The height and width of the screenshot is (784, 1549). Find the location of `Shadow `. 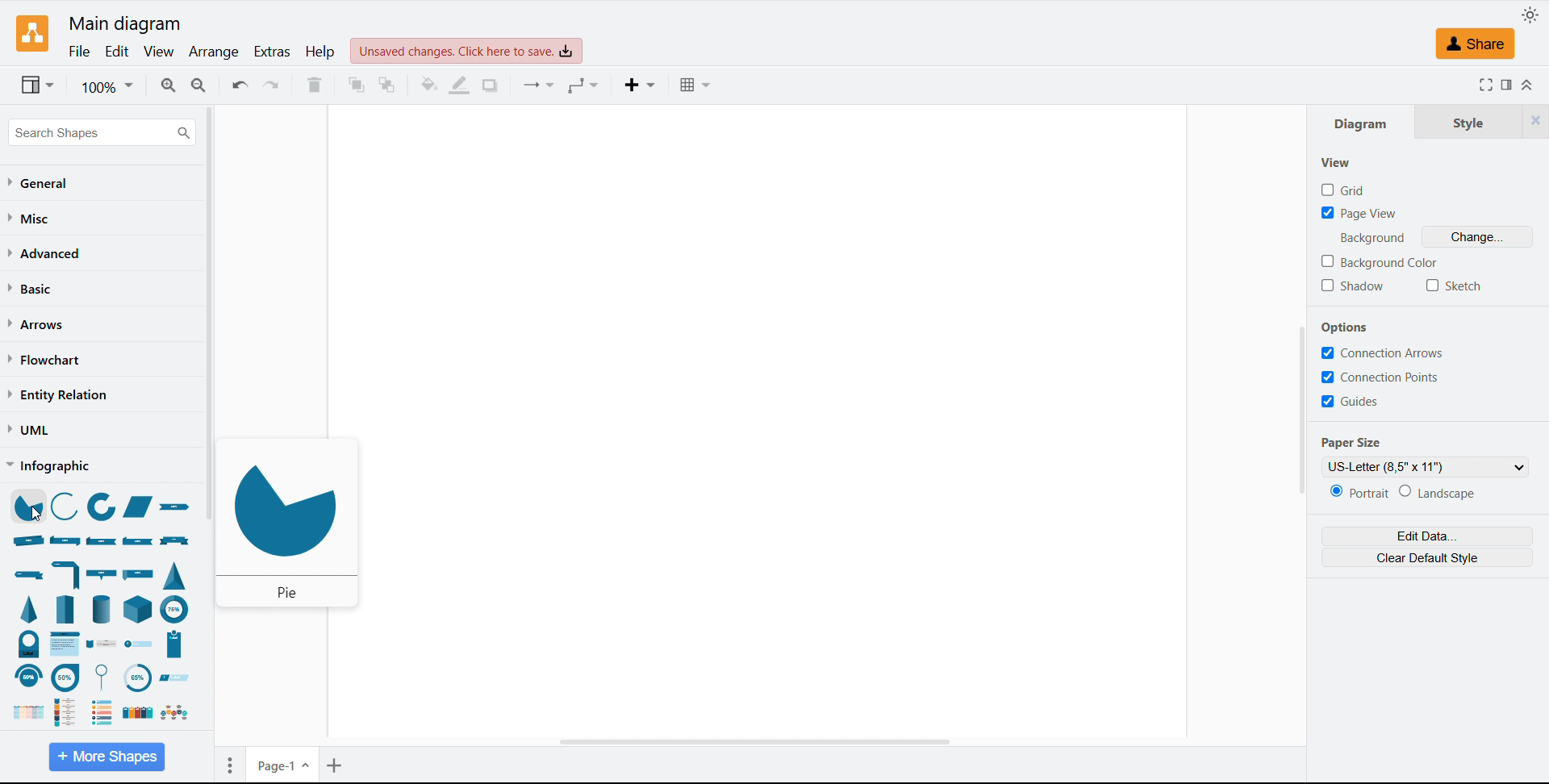

Shadow  is located at coordinates (1352, 286).